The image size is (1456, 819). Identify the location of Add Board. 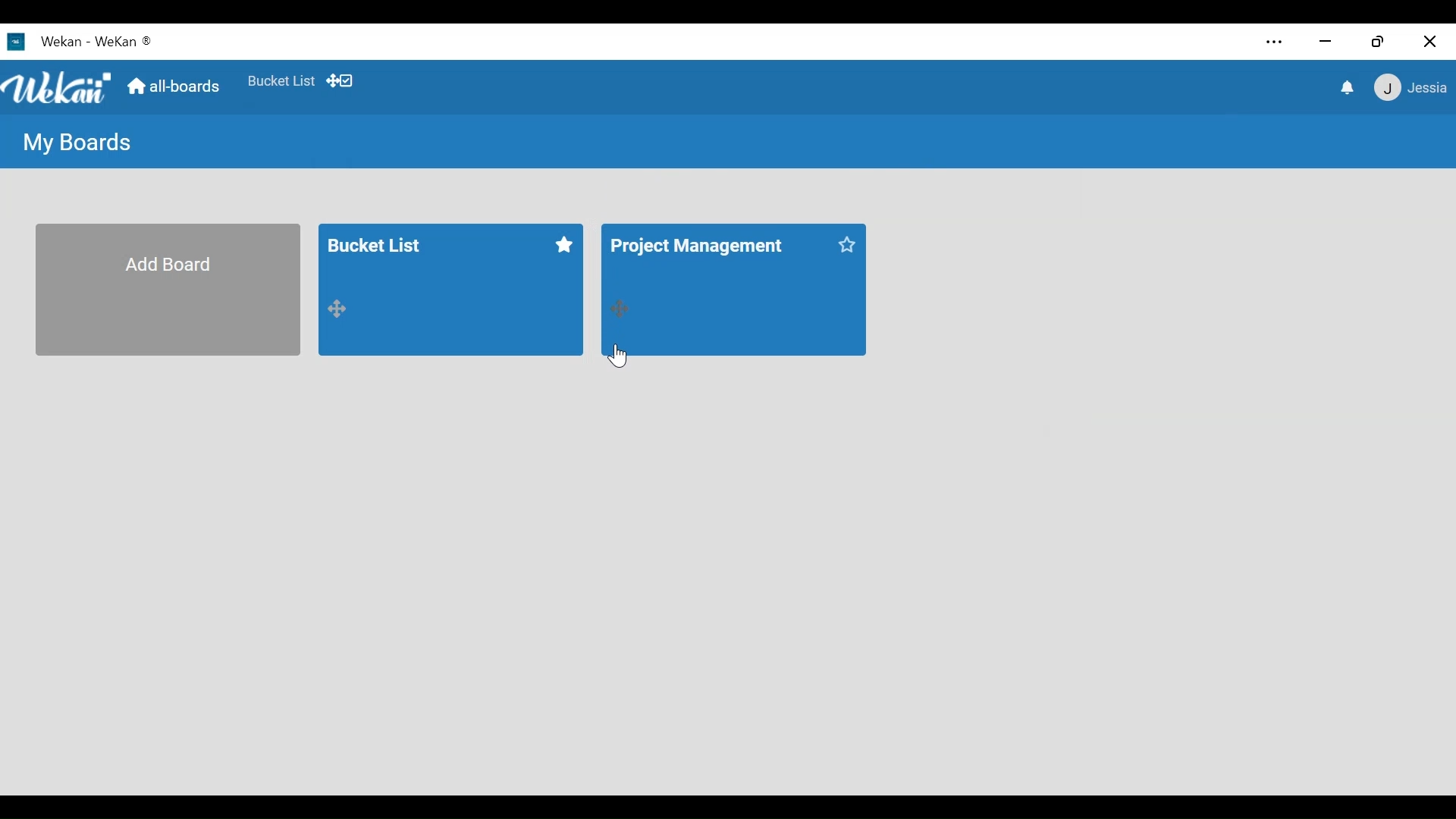
(167, 290).